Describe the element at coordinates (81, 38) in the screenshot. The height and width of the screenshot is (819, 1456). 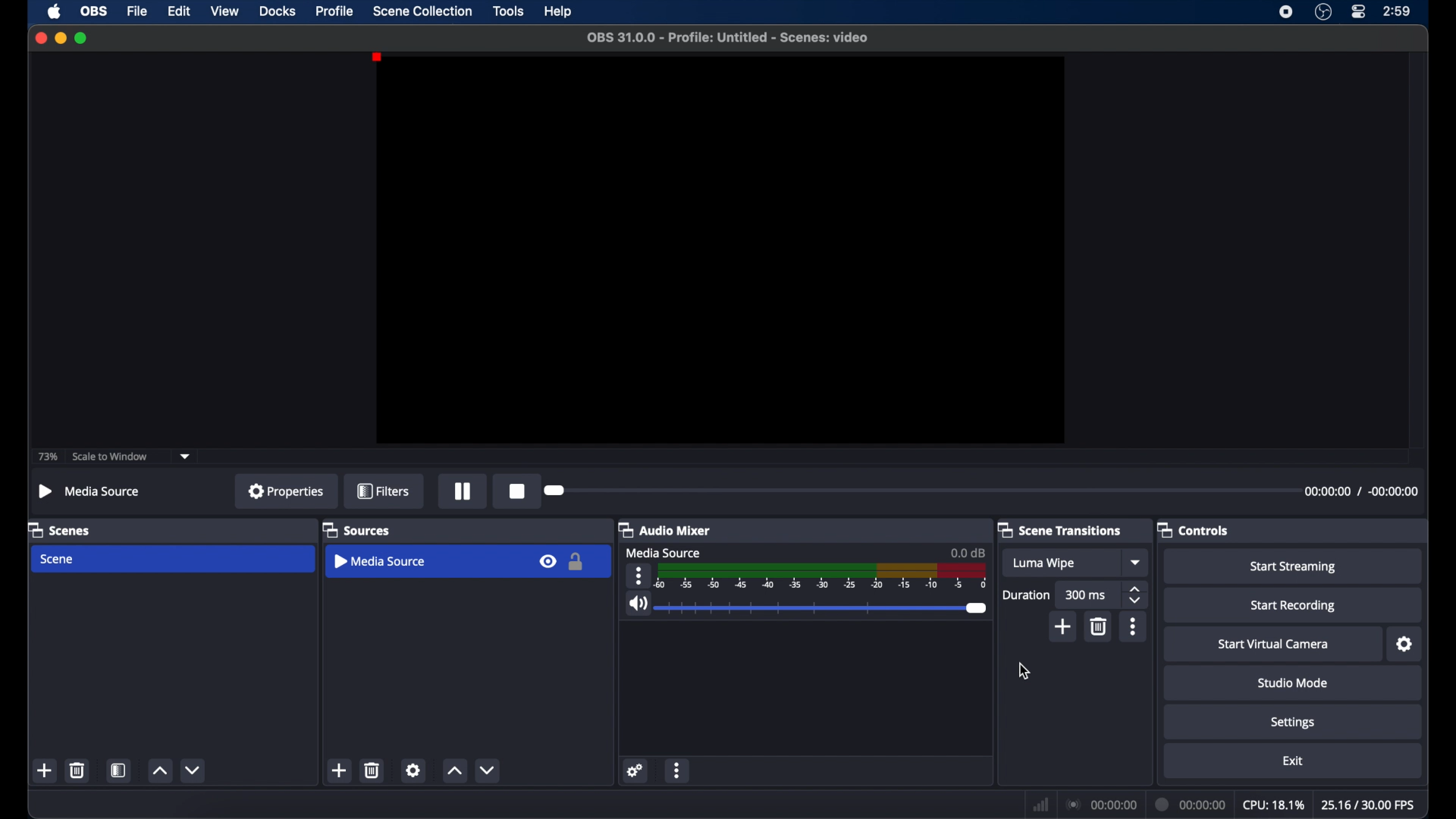
I see `maximize` at that location.